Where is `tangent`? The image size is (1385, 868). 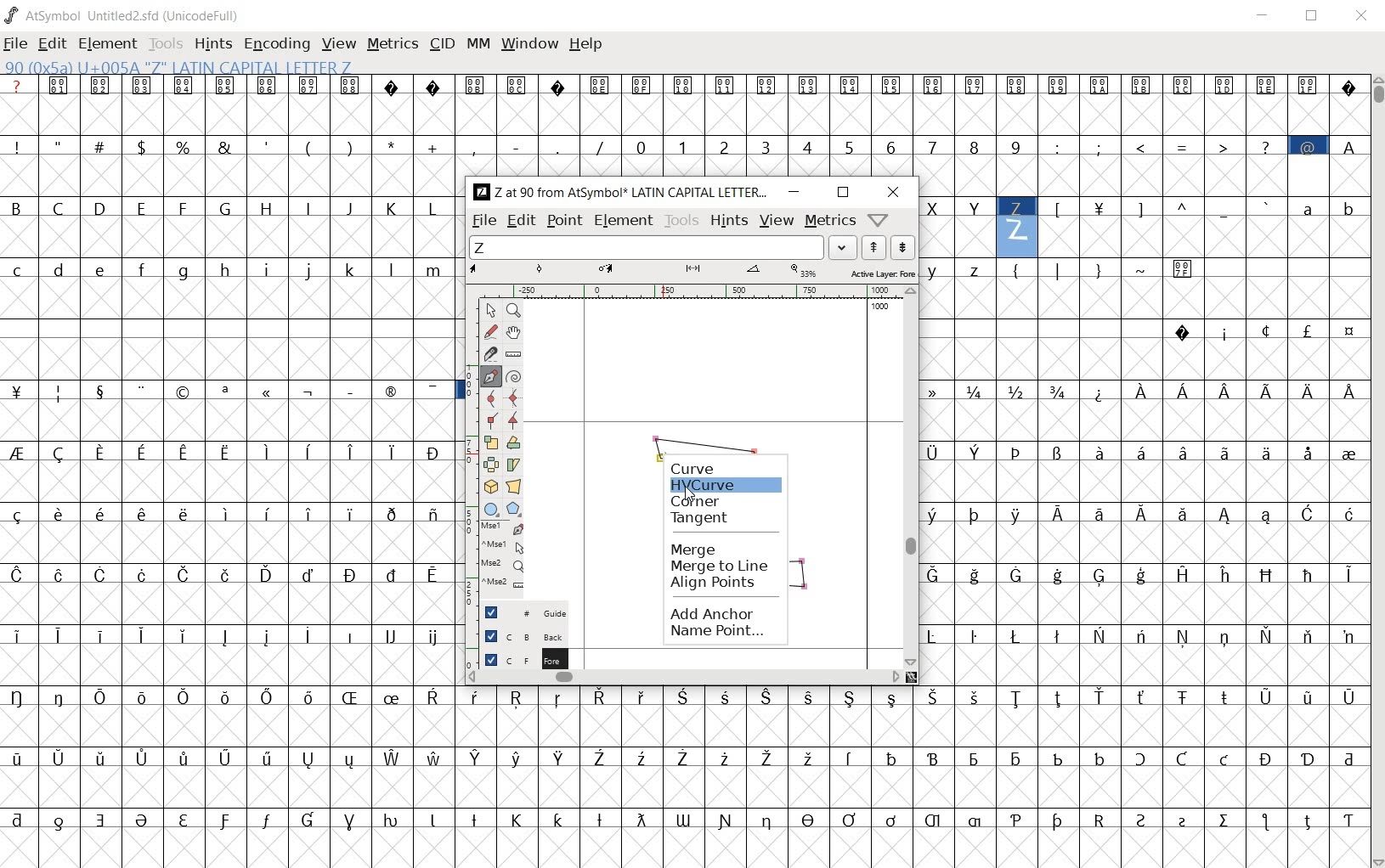 tangent is located at coordinates (715, 521).